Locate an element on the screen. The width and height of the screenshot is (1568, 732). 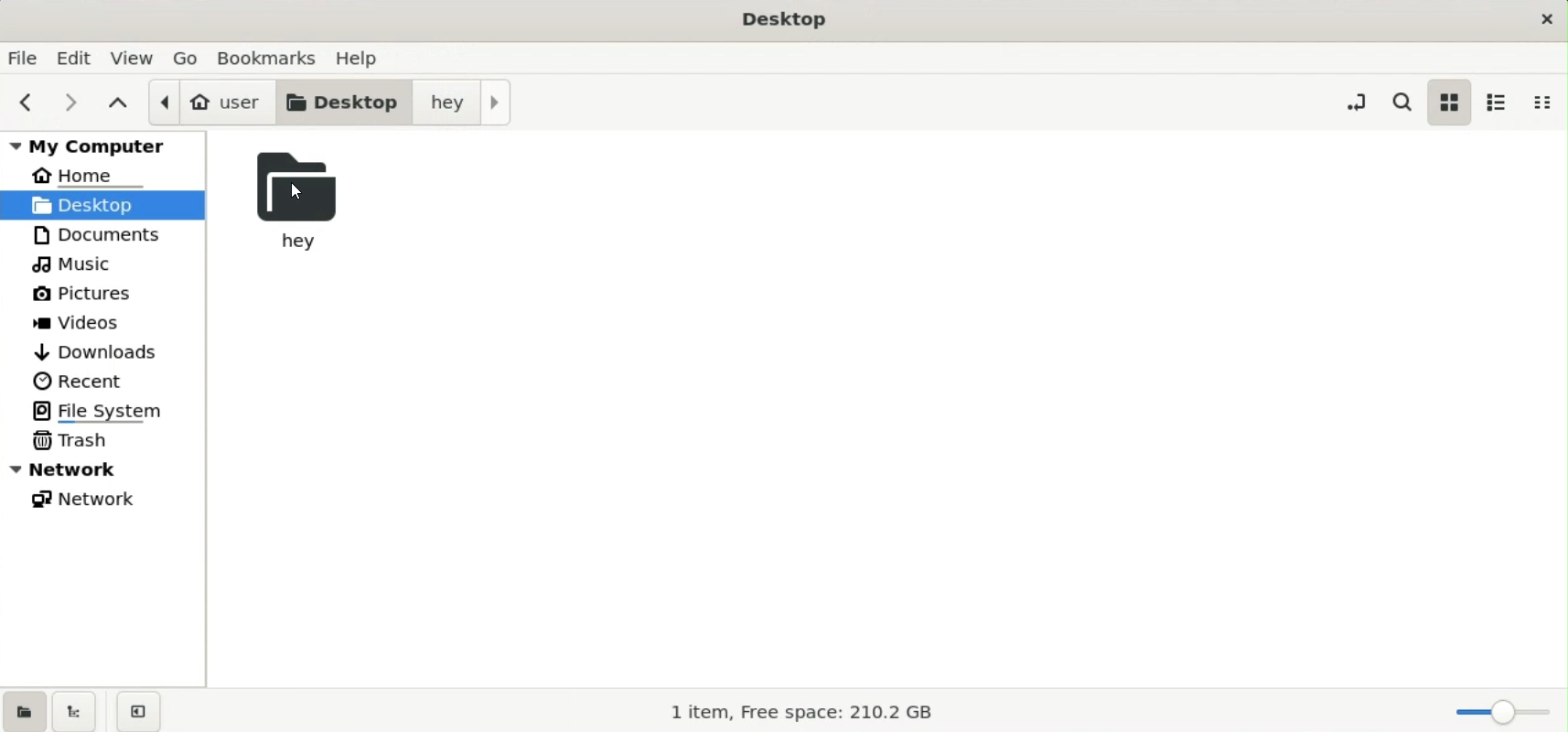
downloads is located at coordinates (98, 350).